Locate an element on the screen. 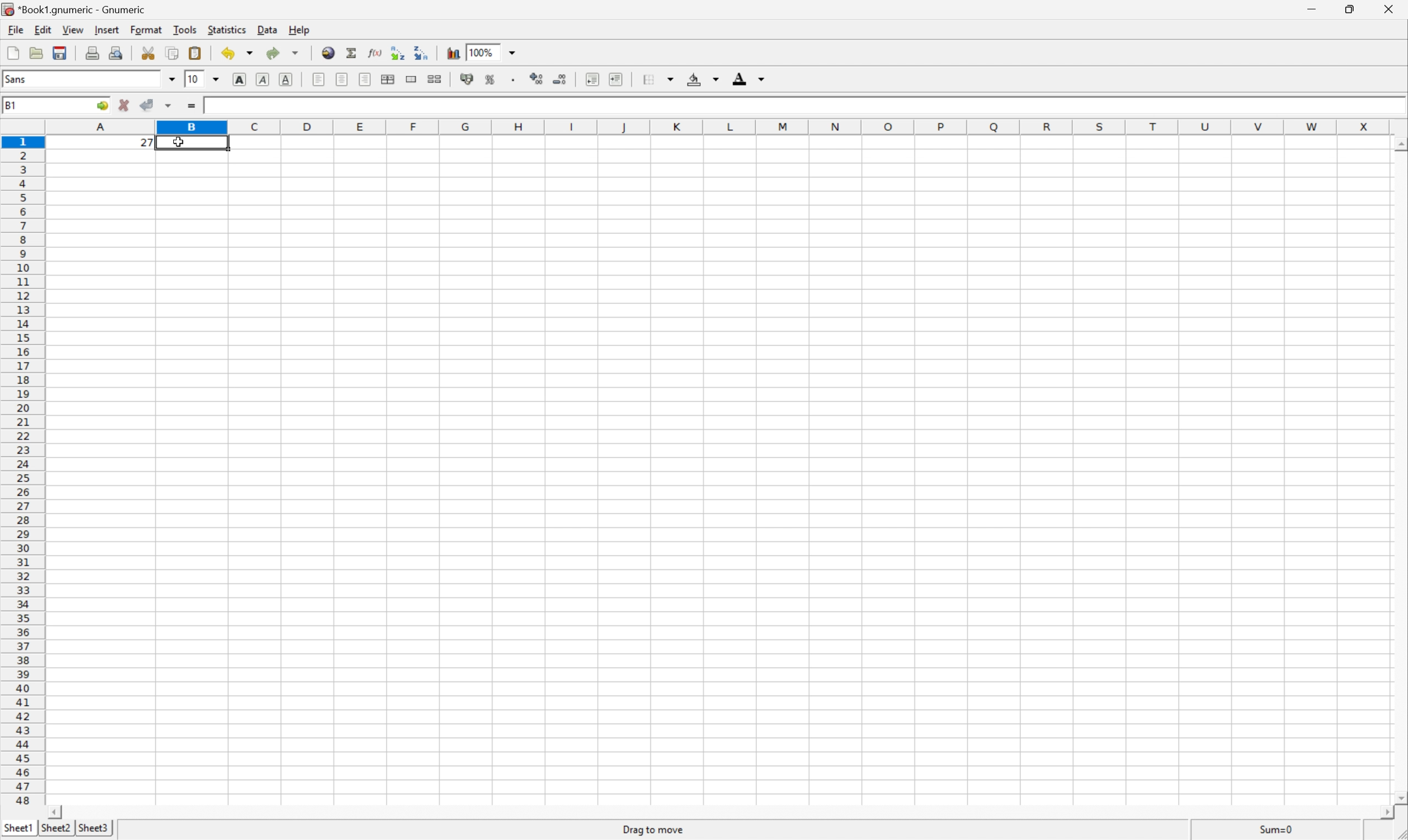 Image resolution: width=1408 pixels, height=840 pixels. Save current workbook is located at coordinates (61, 53).